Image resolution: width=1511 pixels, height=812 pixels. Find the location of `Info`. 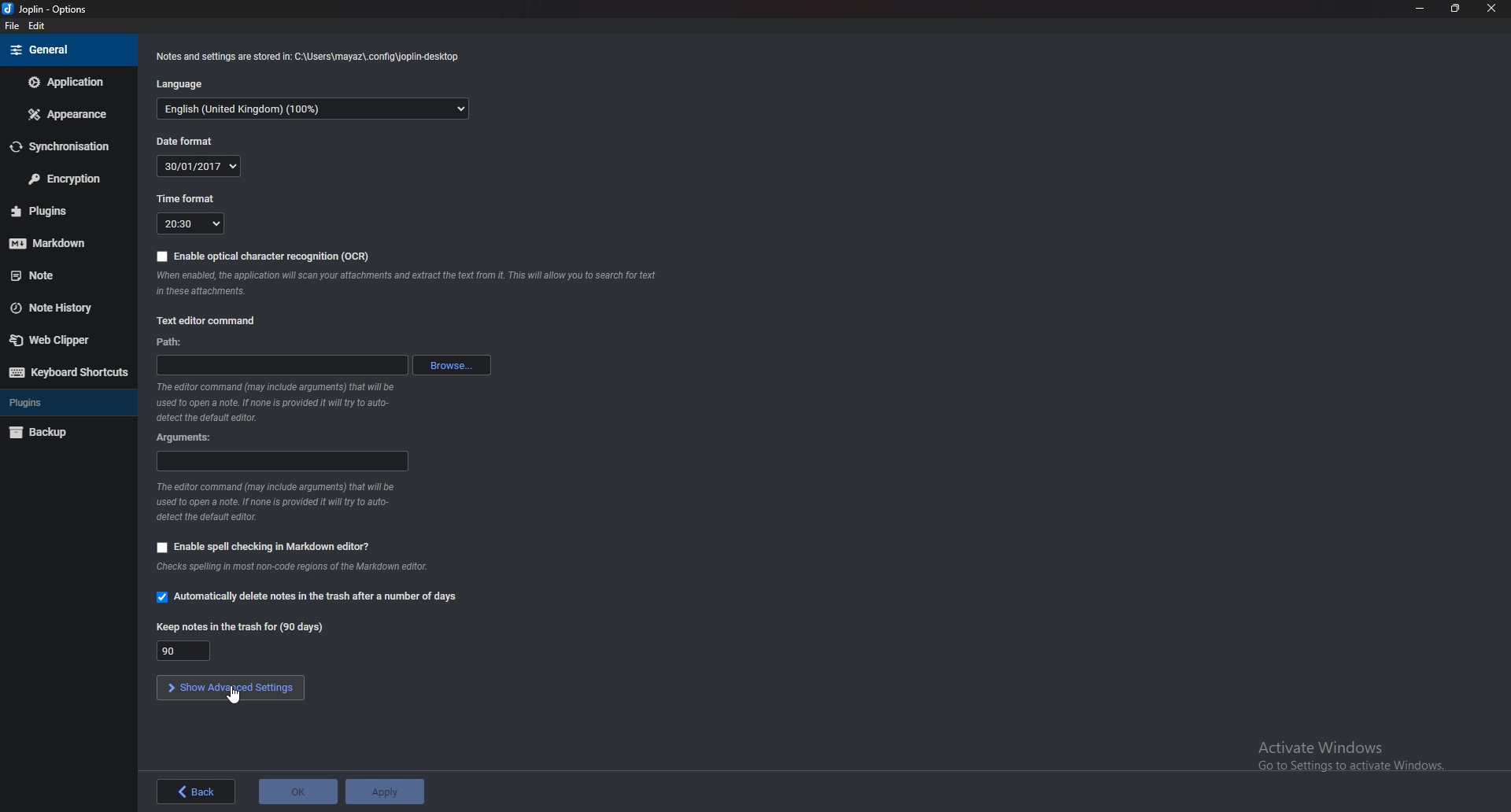

Info is located at coordinates (304, 567).